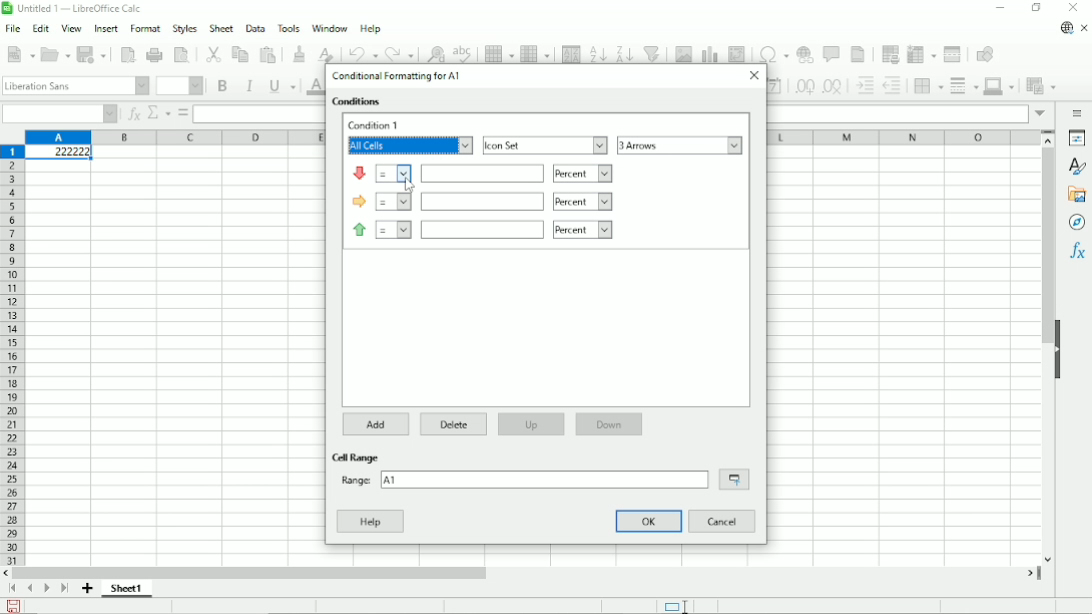 Image resolution: width=1092 pixels, height=614 pixels. I want to click on Border styles, so click(963, 85).